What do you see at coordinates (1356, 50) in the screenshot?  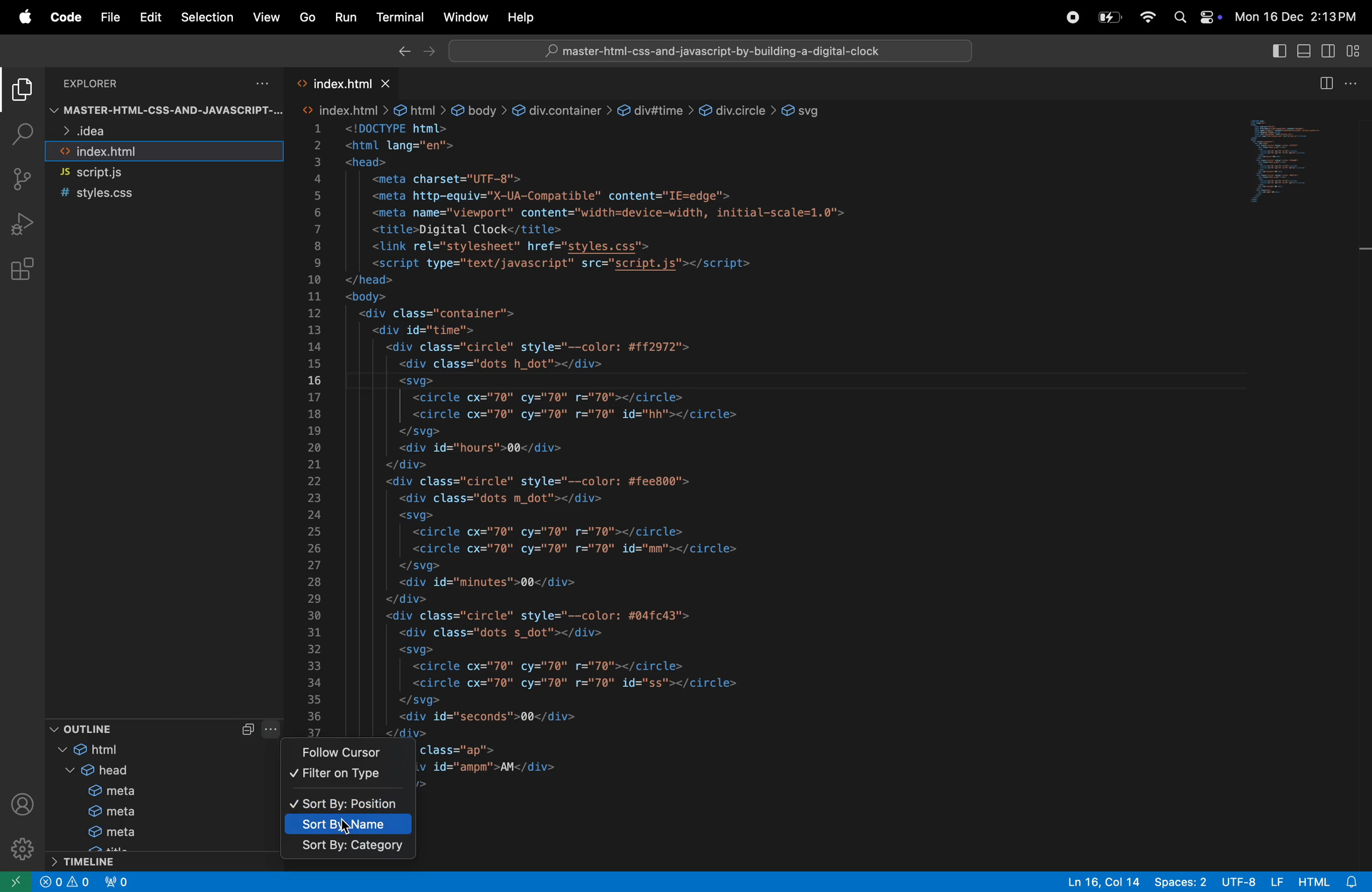 I see `customize layout` at bounding box center [1356, 50].